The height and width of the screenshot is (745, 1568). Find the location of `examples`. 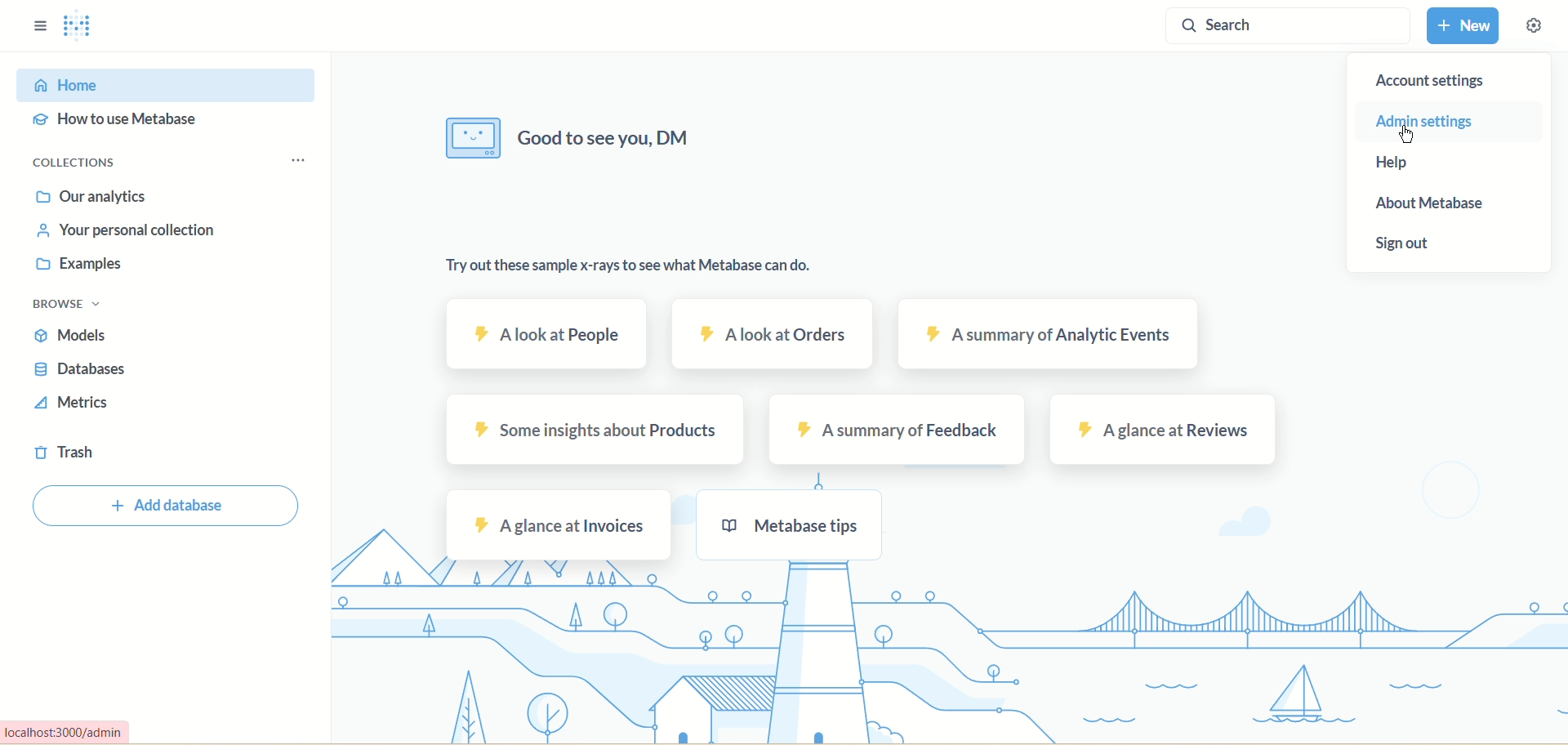

examples is located at coordinates (81, 265).